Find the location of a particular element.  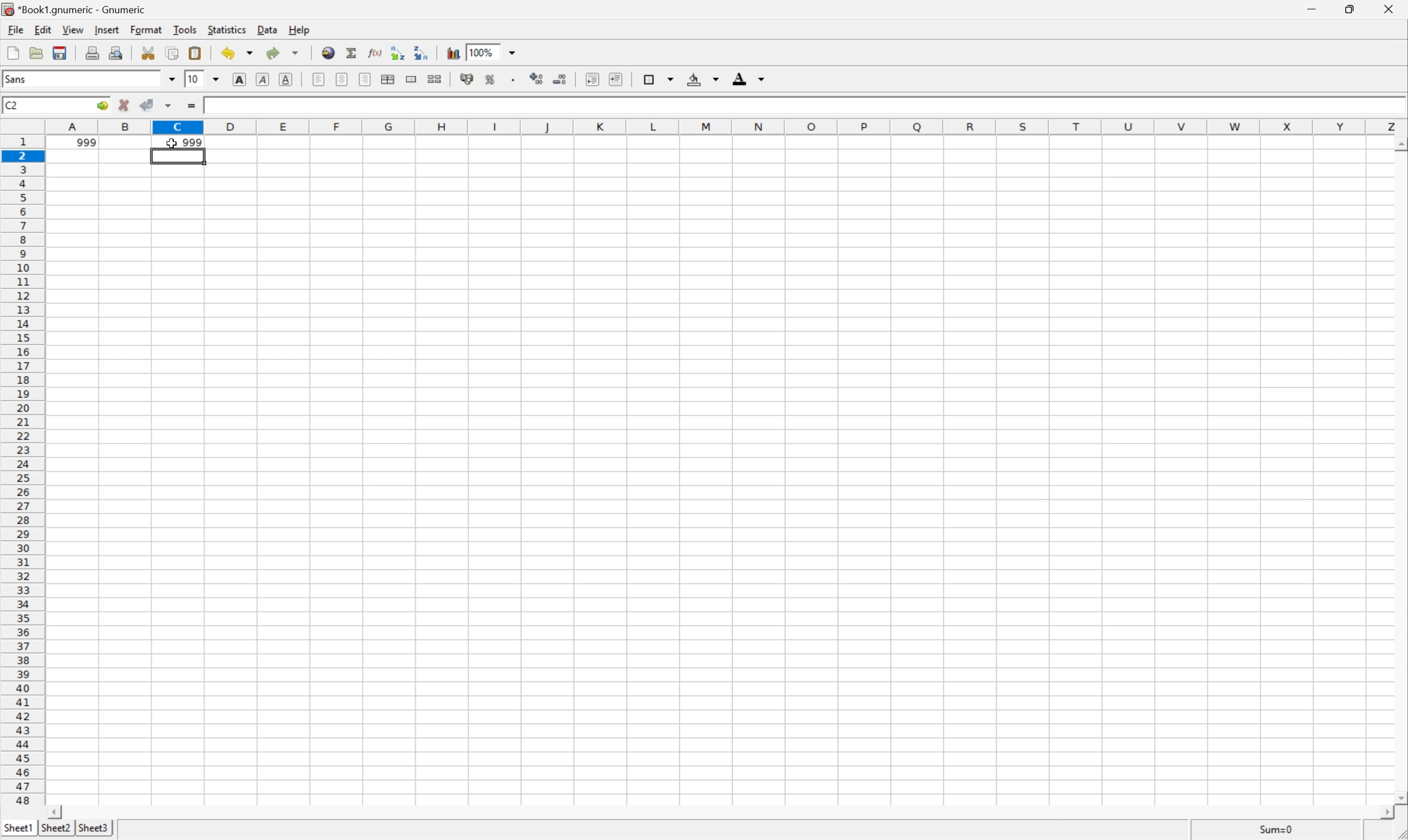

Font size 10 is located at coordinates (205, 78).